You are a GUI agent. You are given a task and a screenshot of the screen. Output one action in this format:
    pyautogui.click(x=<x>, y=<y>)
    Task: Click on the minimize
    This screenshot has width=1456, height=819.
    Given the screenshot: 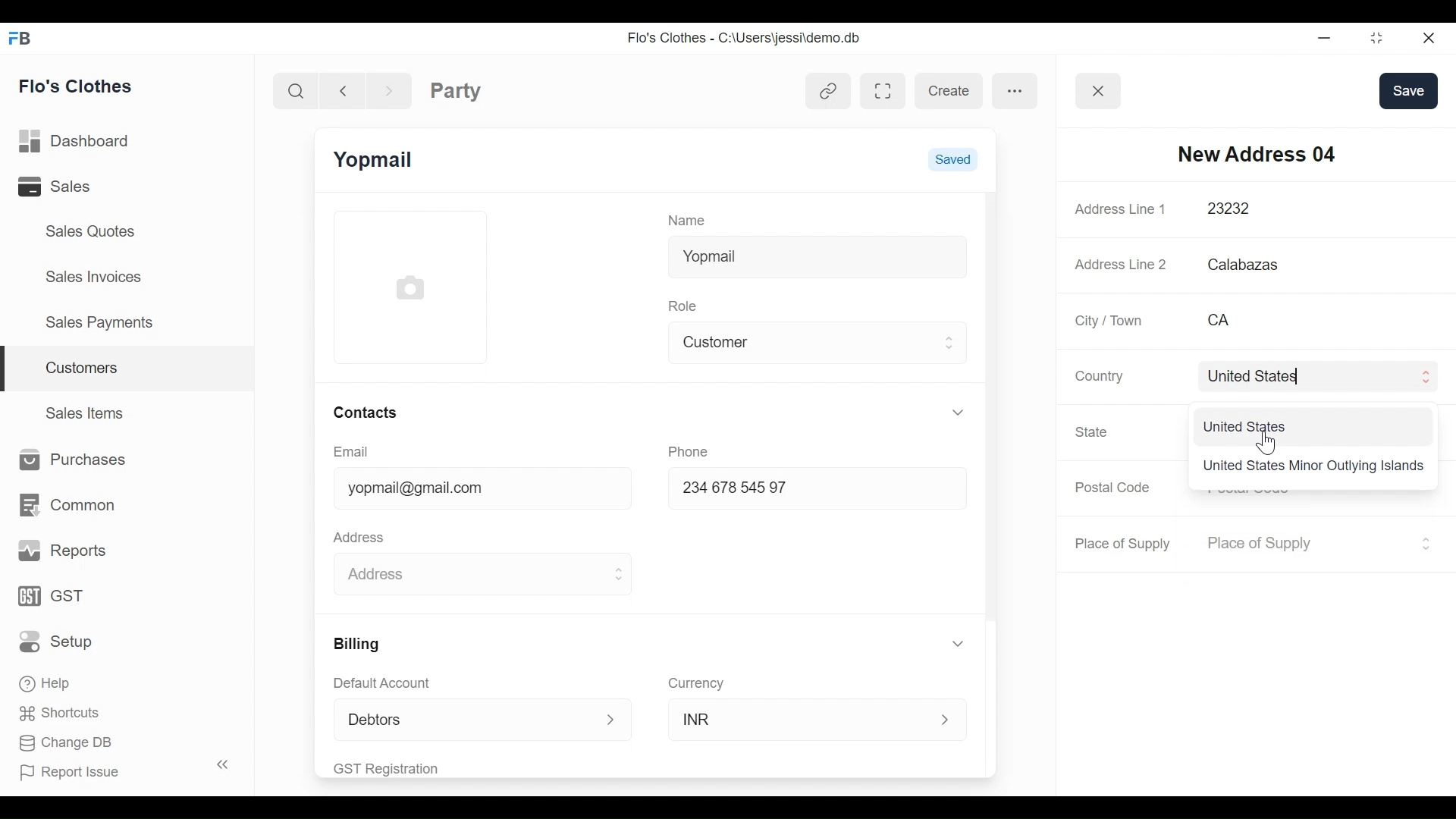 What is the action you would take?
    pyautogui.click(x=1323, y=37)
    